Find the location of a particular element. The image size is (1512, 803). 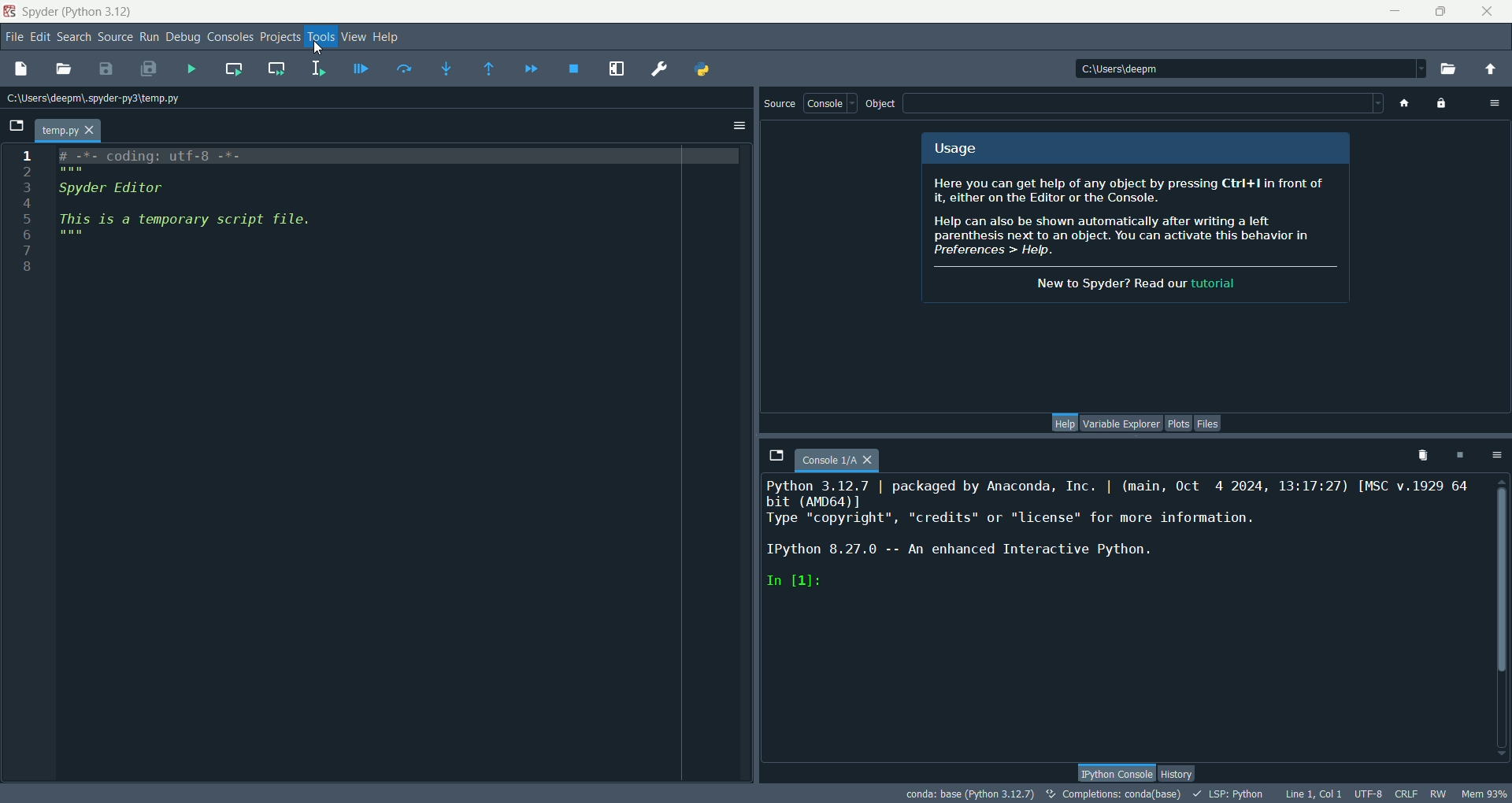

LSP:python is located at coordinates (1232, 794).